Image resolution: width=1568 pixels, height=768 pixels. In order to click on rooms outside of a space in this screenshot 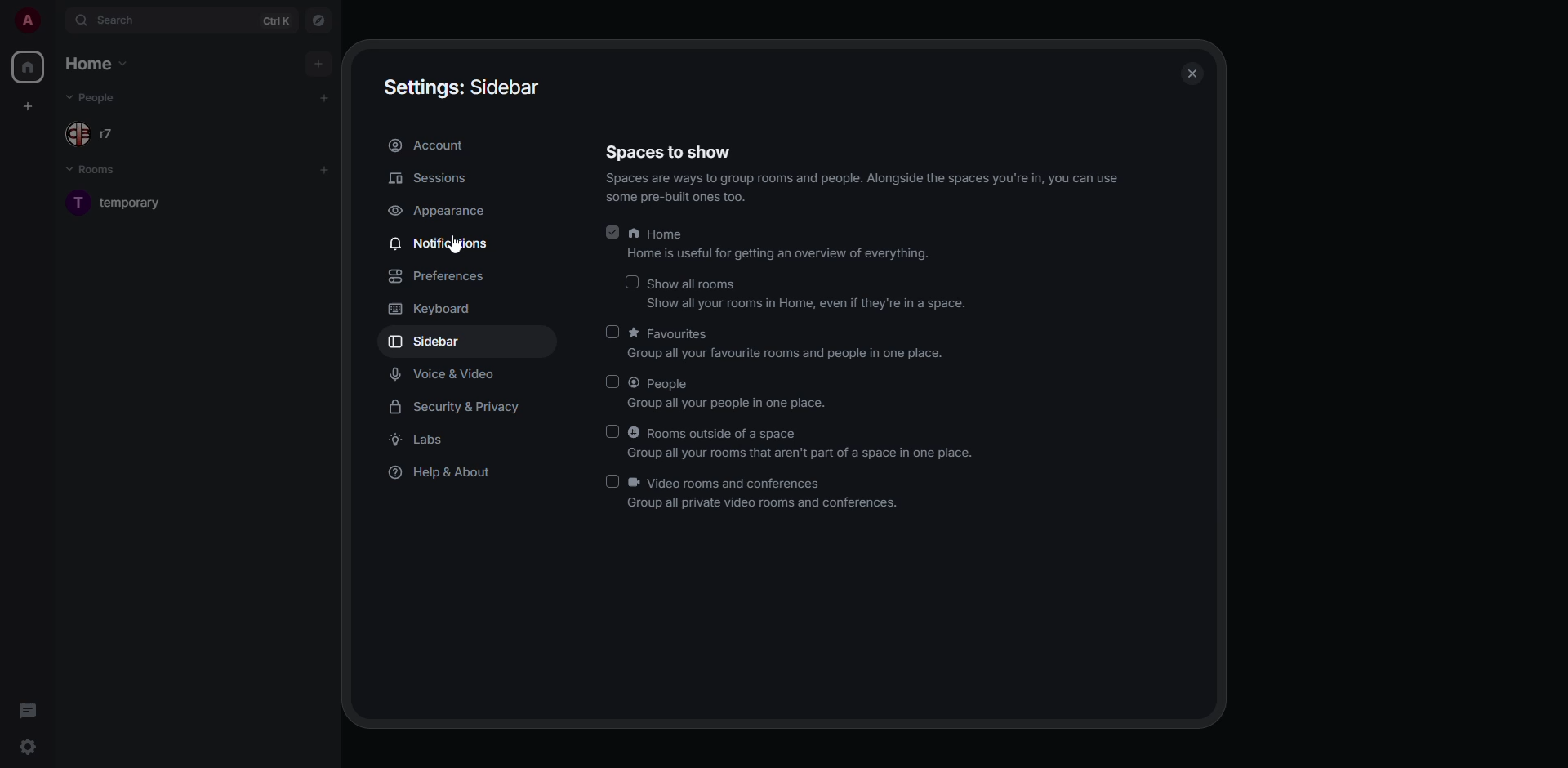, I will do `click(804, 444)`.